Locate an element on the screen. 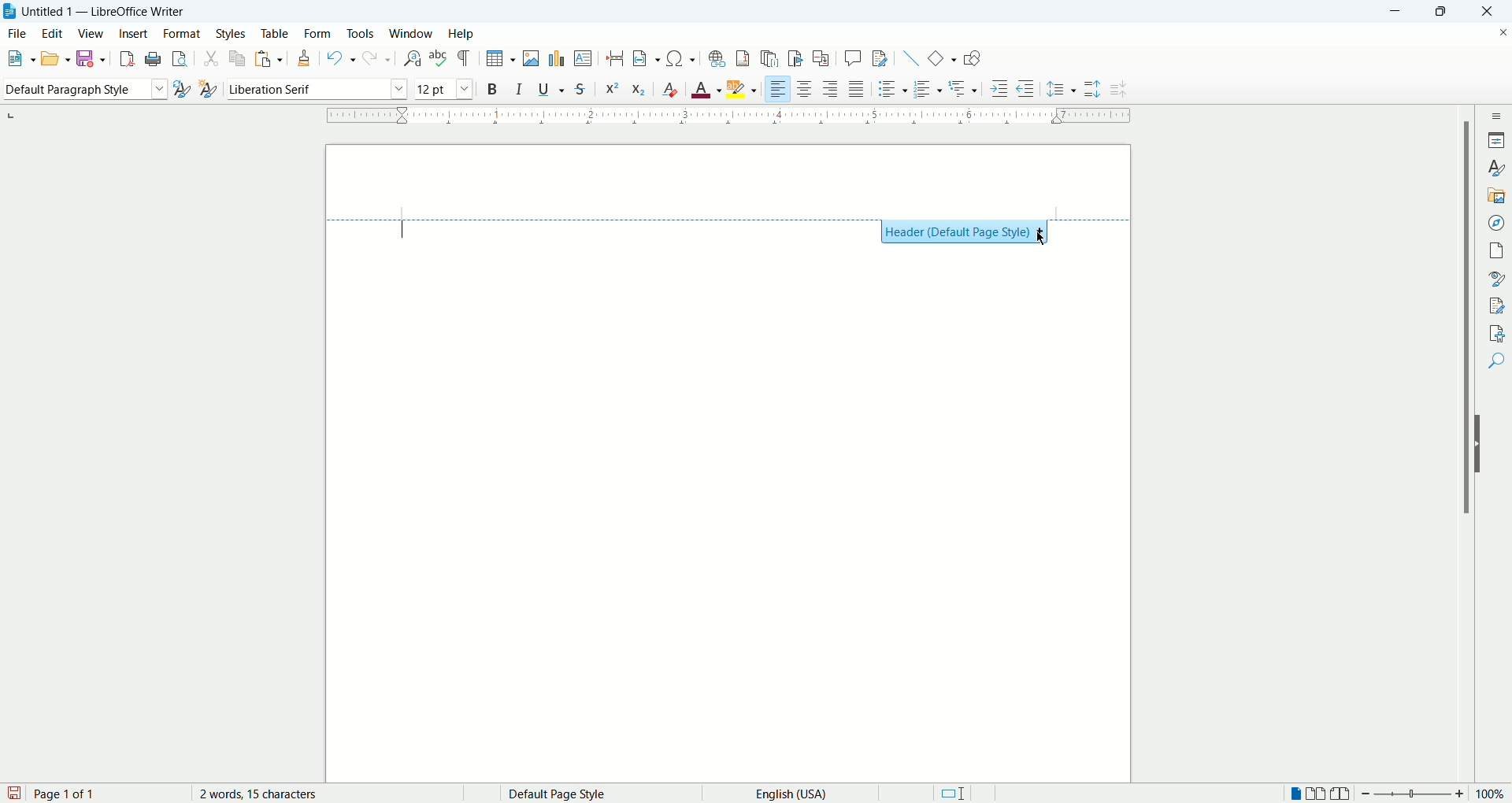 The height and width of the screenshot is (803, 1512). help is located at coordinates (462, 35).